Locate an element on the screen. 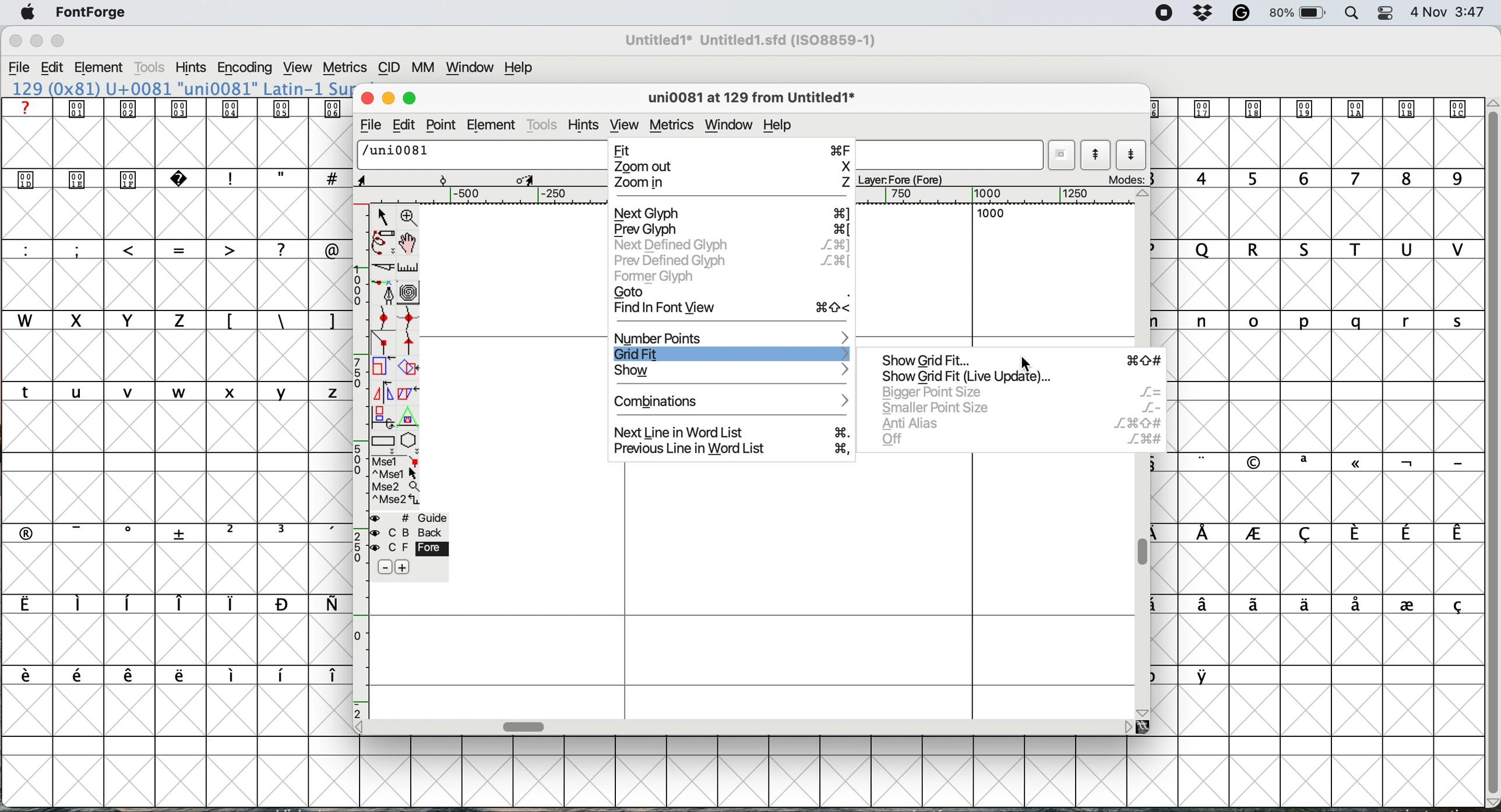 This screenshot has height=812, width=1501. Apple menu is located at coordinates (27, 13).